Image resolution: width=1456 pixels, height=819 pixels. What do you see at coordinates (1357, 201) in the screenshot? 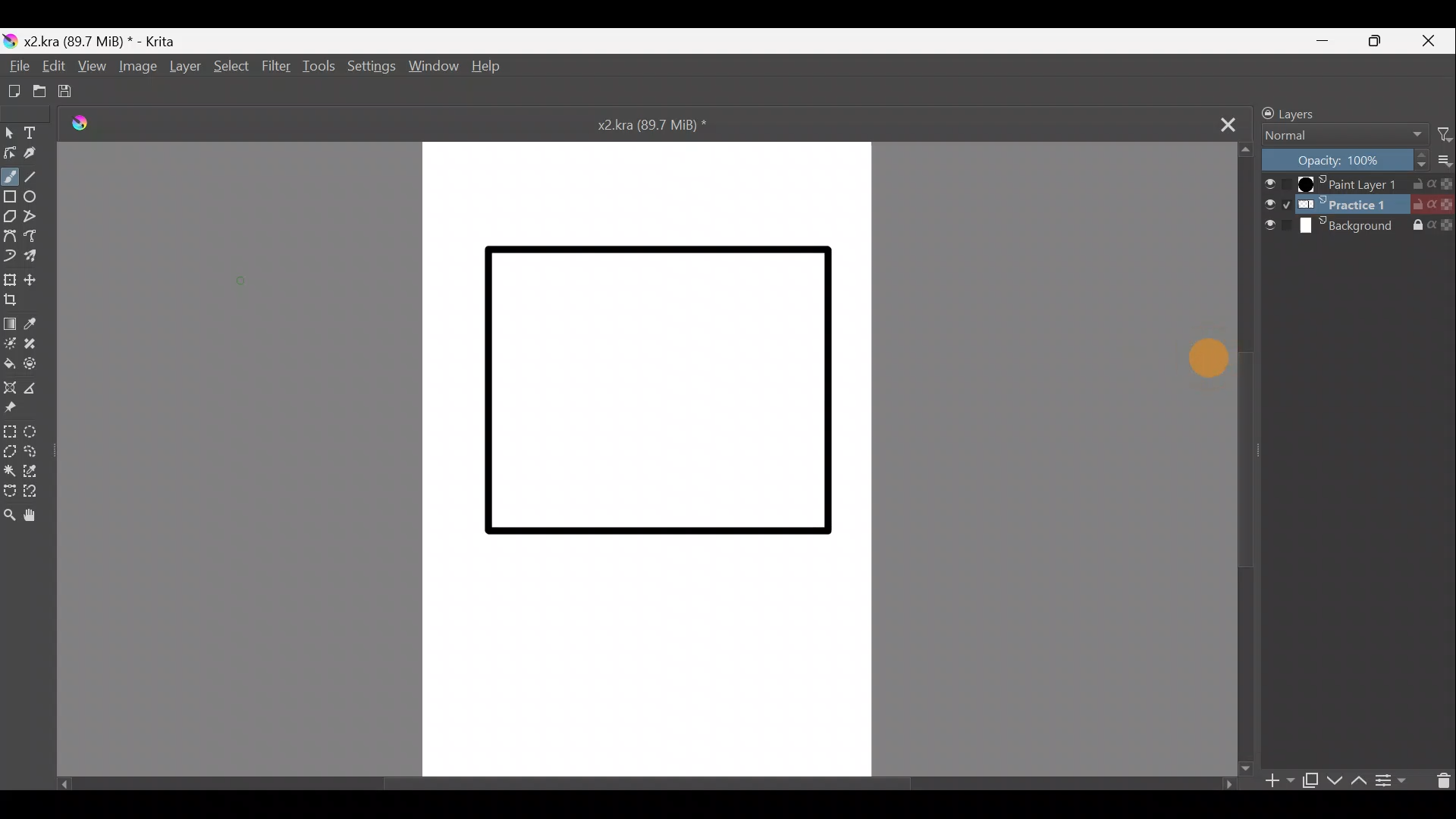
I see `Background1` at bounding box center [1357, 201].